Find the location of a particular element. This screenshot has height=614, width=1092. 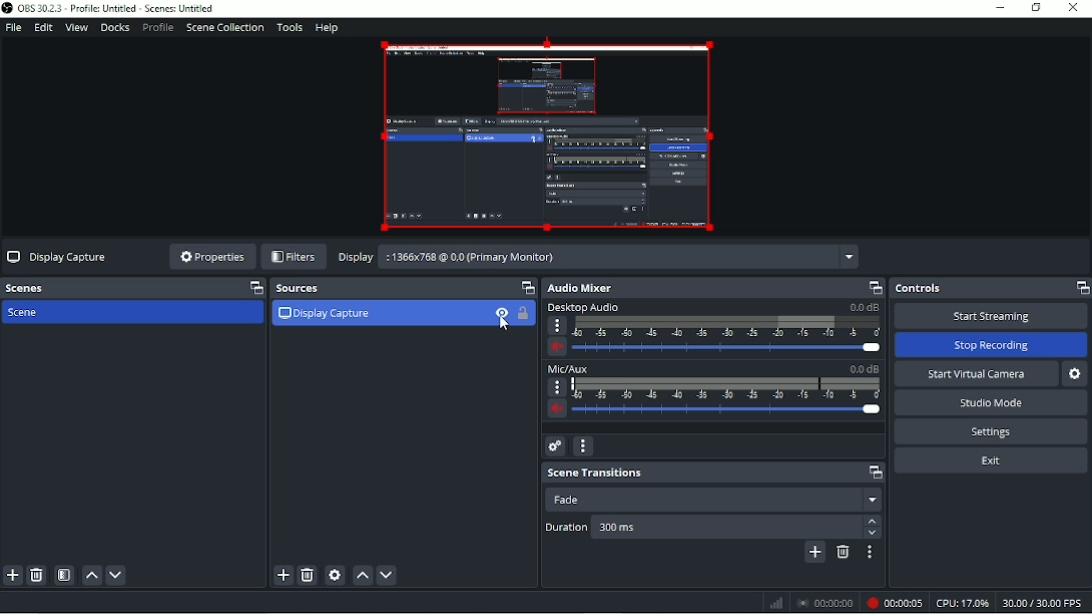

Duration is located at coordinates (713, 528).